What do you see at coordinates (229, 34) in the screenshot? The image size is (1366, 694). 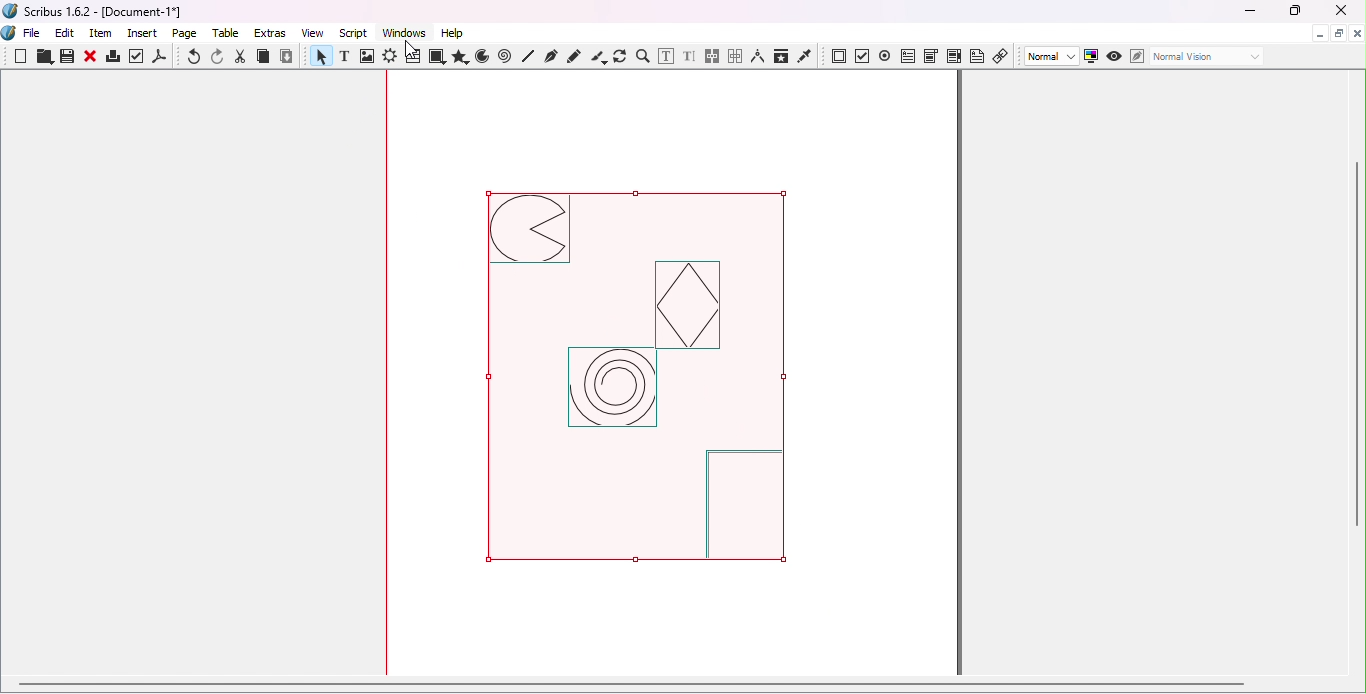 I see `Table` at bounding box center [229, 34].